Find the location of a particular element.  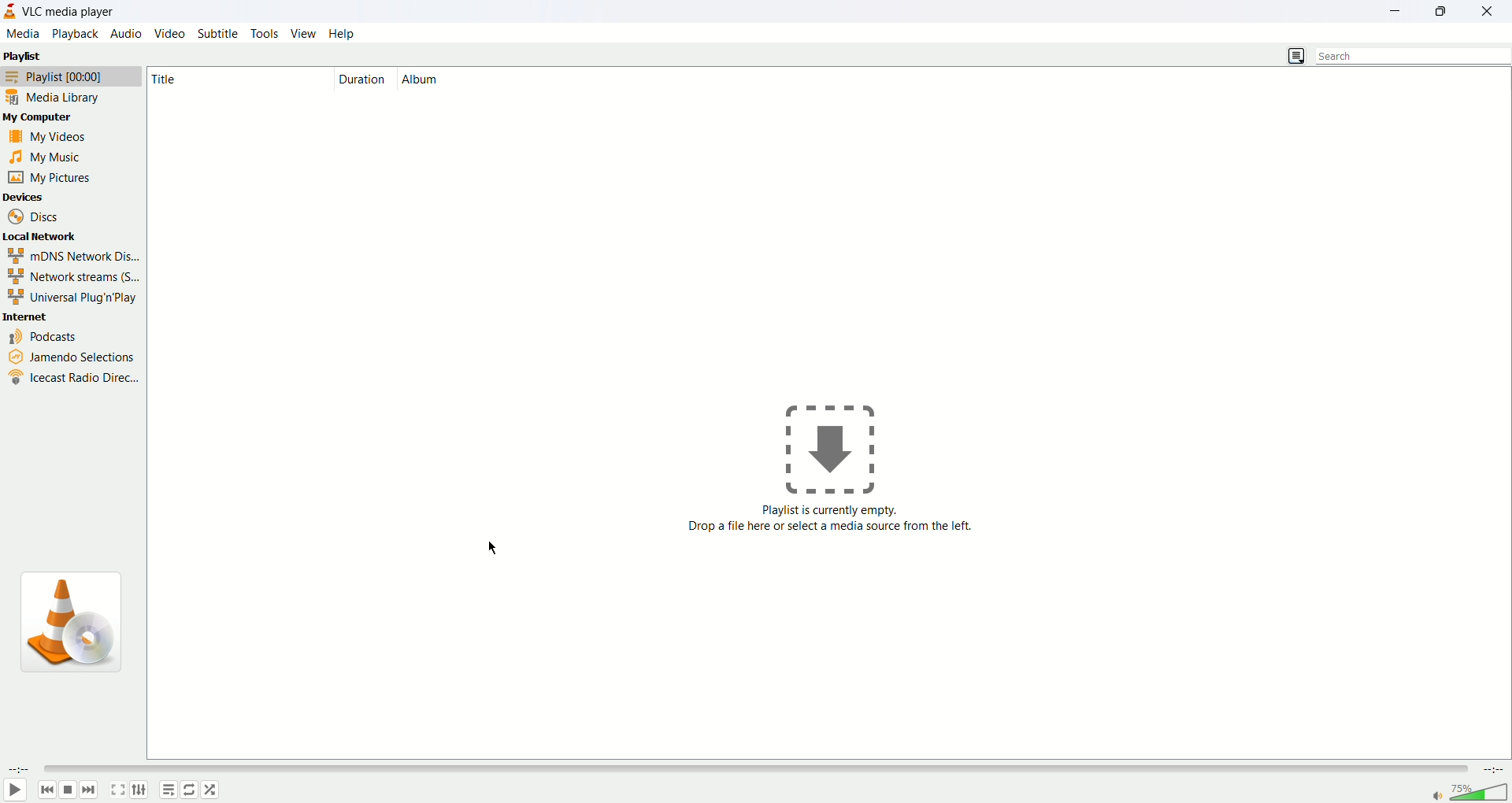

close is located at coordinates (1492, 11).